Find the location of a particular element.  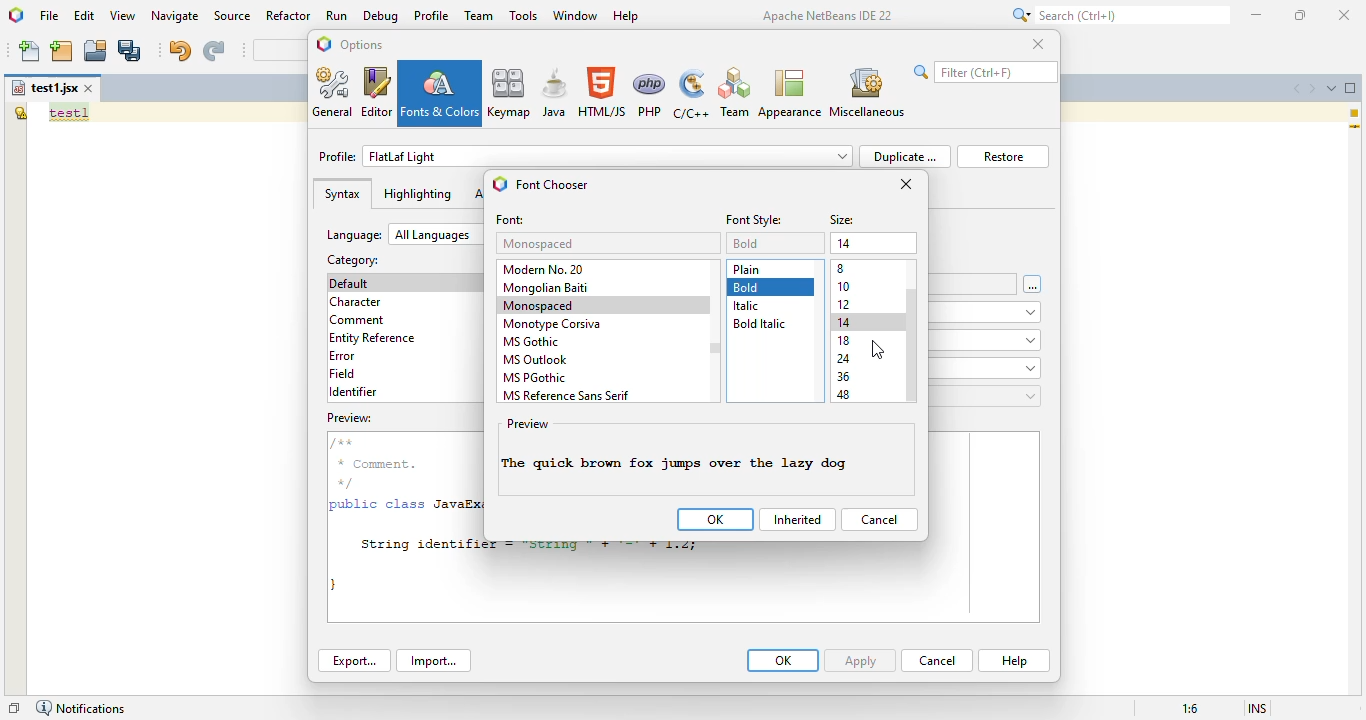

cancel is located at coordinates (879, 519).